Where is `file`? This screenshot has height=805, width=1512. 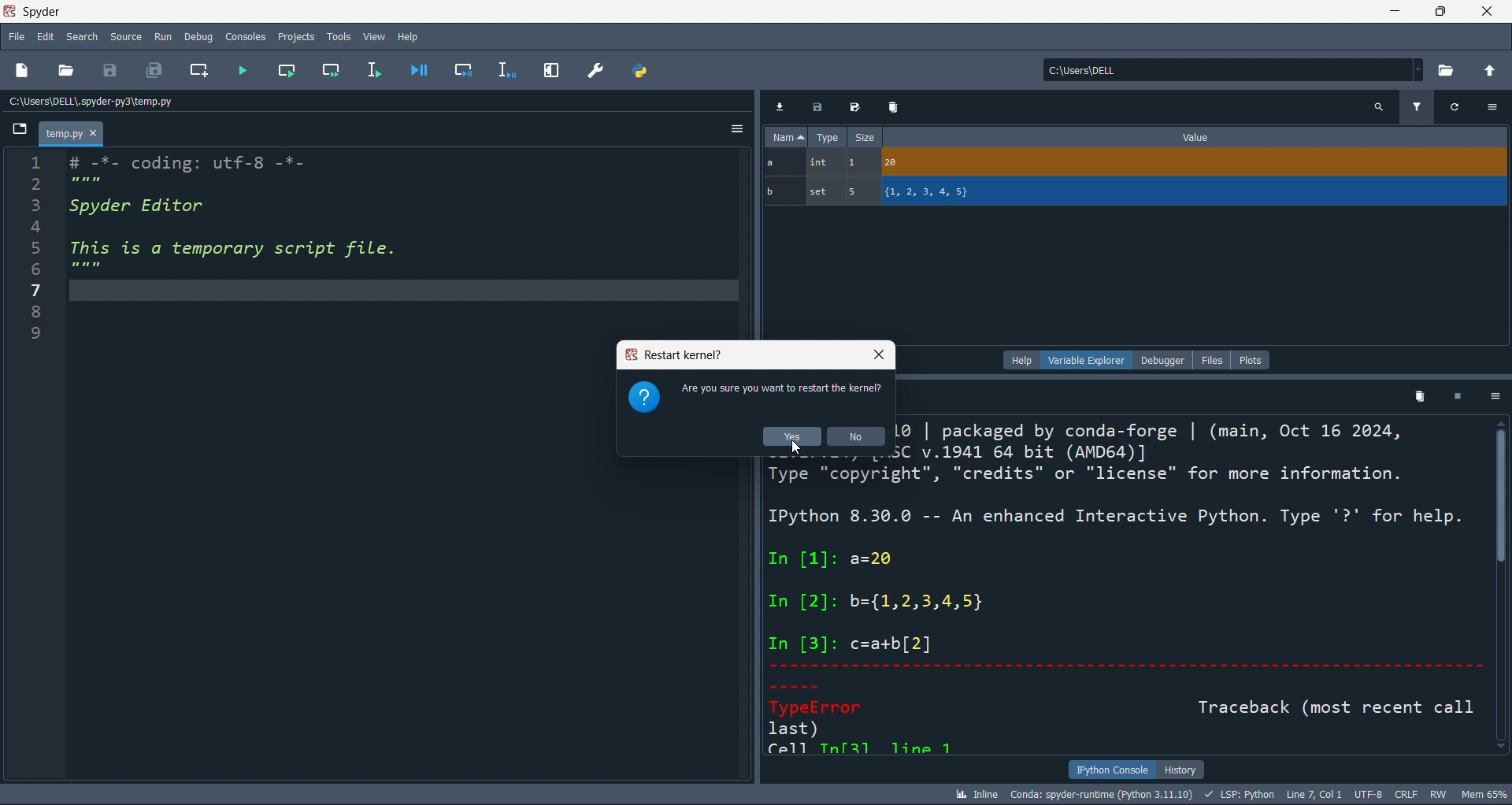 file is located at coordinates (16, 36).